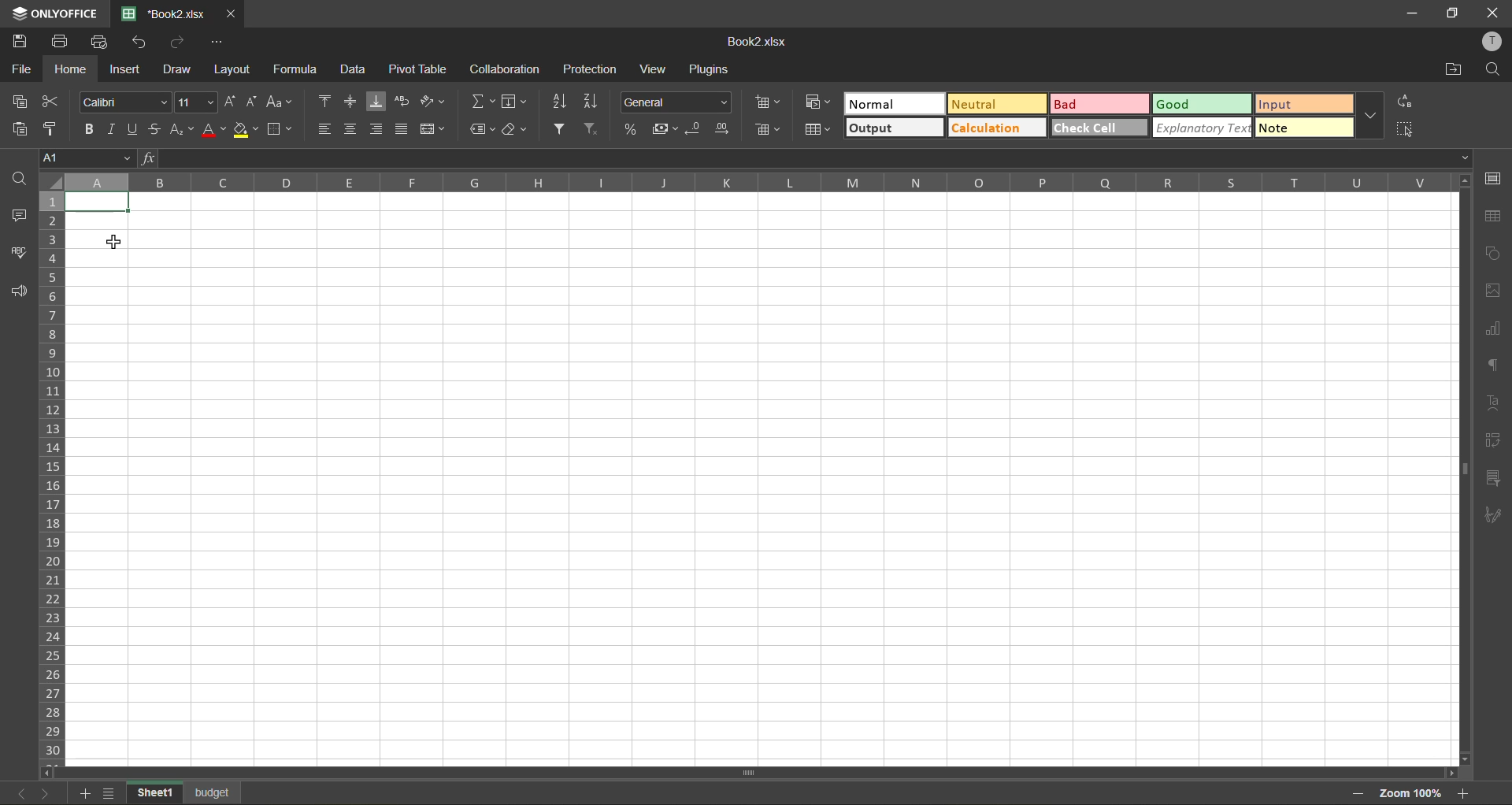  I want to click on table, so click(1494, 217).